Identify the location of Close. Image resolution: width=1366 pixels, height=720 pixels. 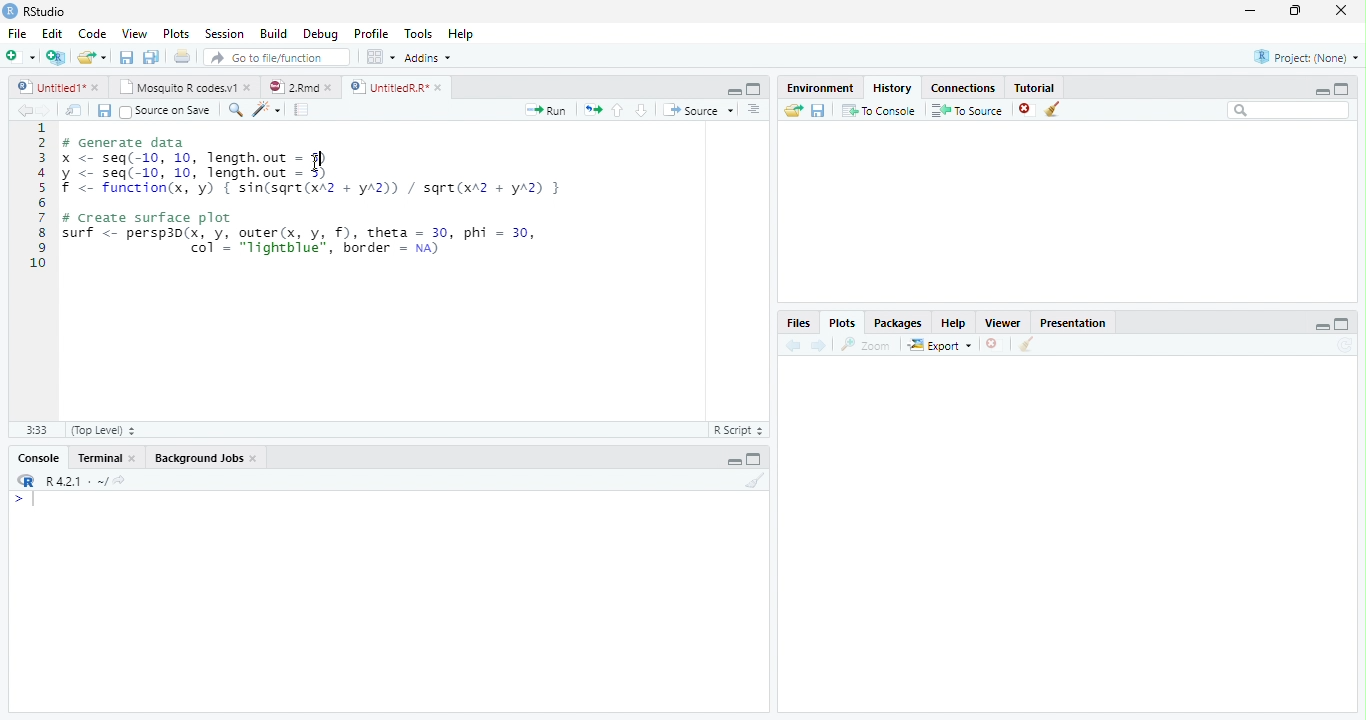
(254, 458).